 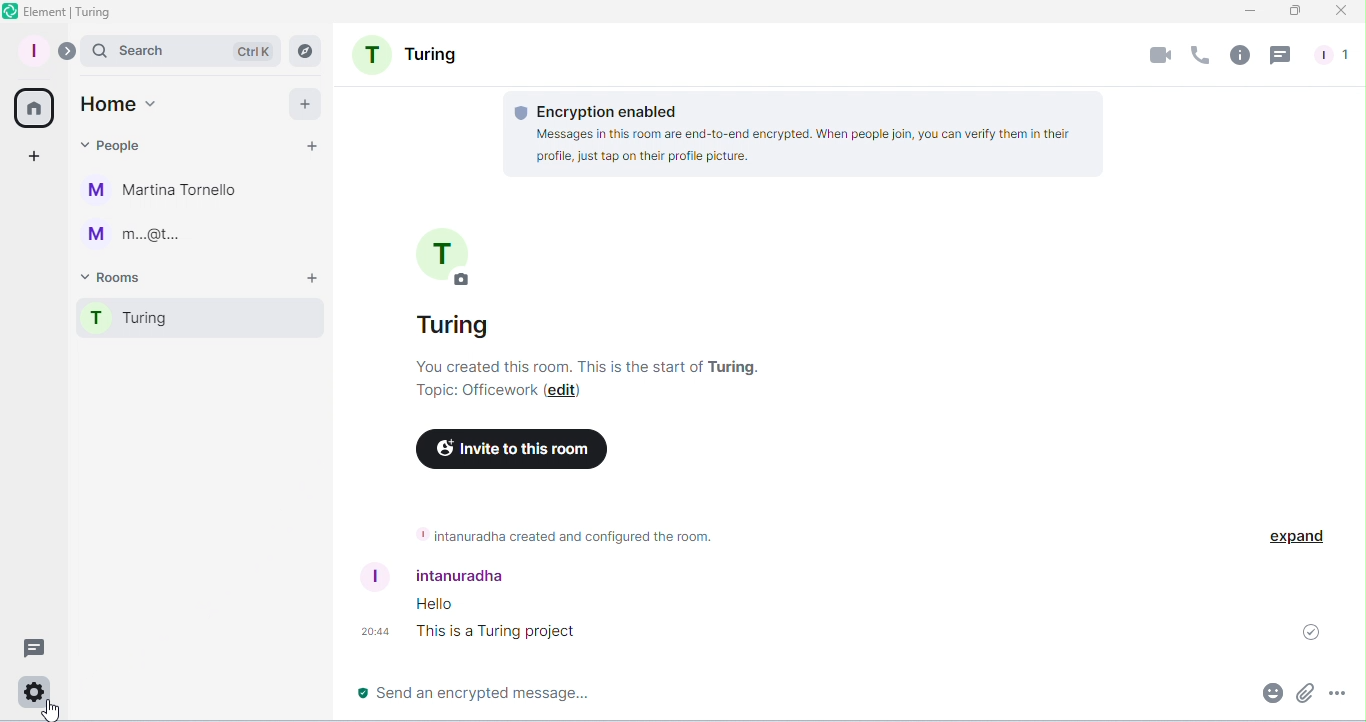 I want to click on Cursor, so click(x=45, y=710).